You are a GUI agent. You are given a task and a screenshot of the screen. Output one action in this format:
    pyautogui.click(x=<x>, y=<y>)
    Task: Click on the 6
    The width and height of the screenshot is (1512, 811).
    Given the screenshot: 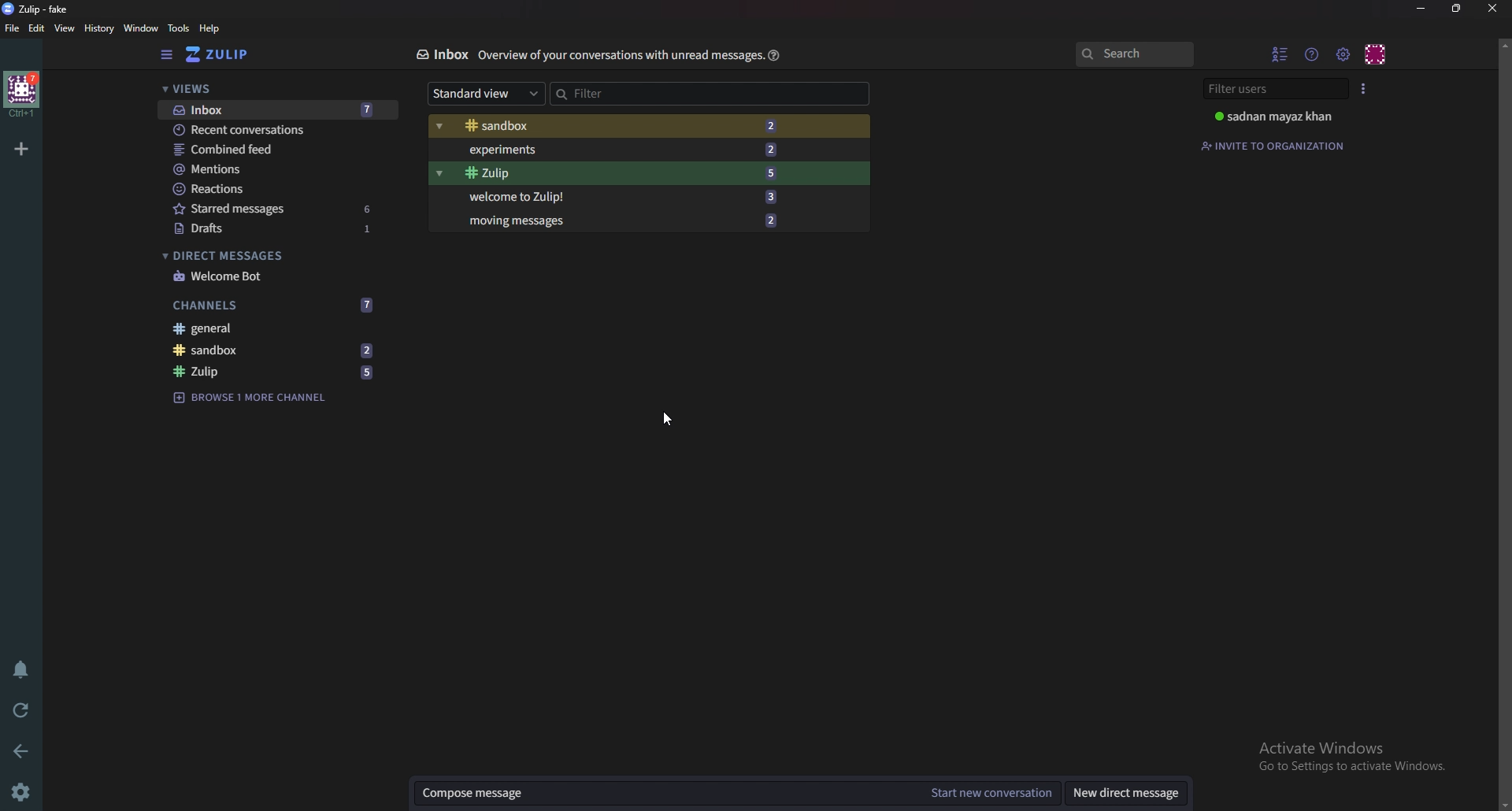 What is the action you would take?
    pyautogui.click(x=371, y=207)
    